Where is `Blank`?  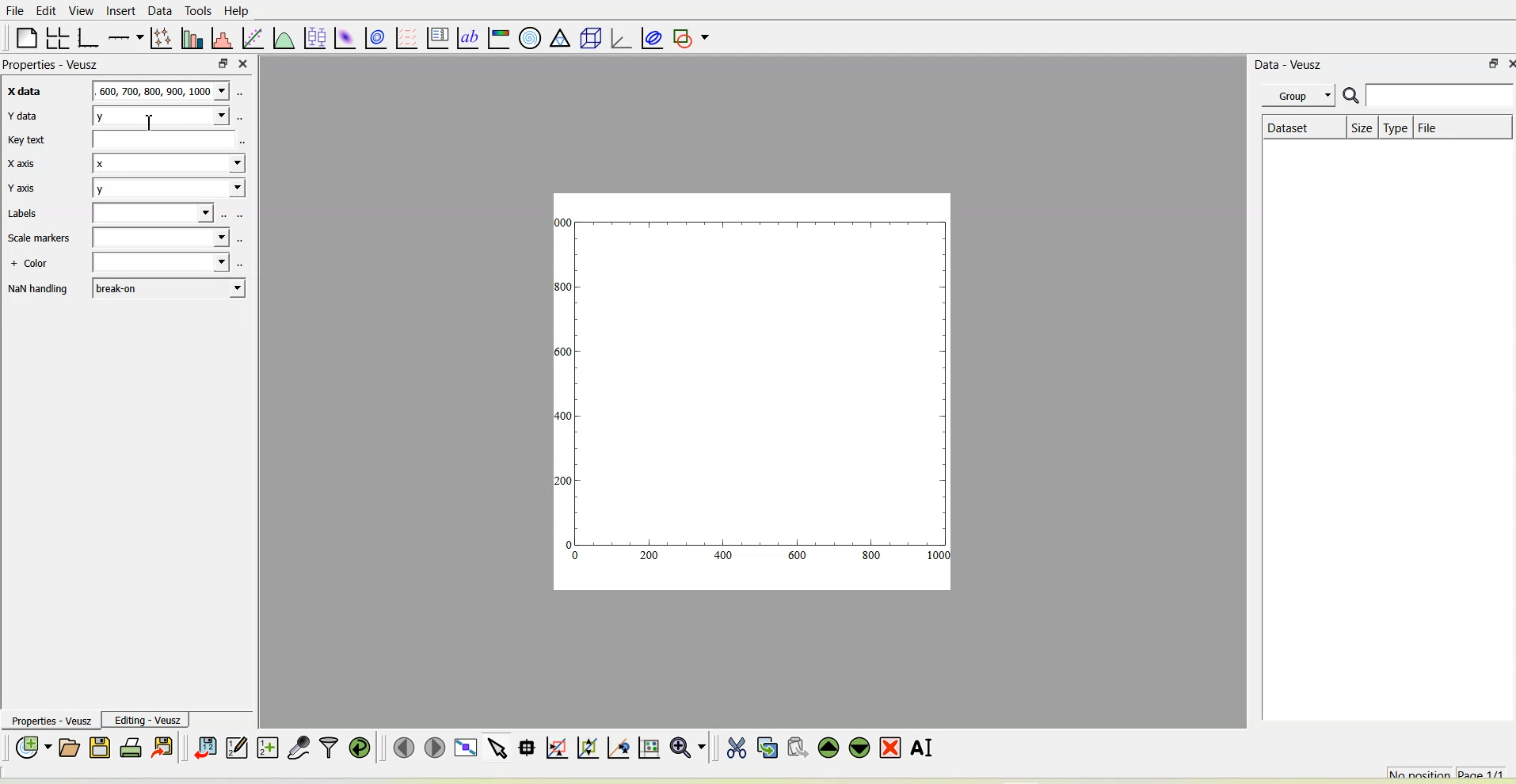 Blank is located at coordinates (154, 212).